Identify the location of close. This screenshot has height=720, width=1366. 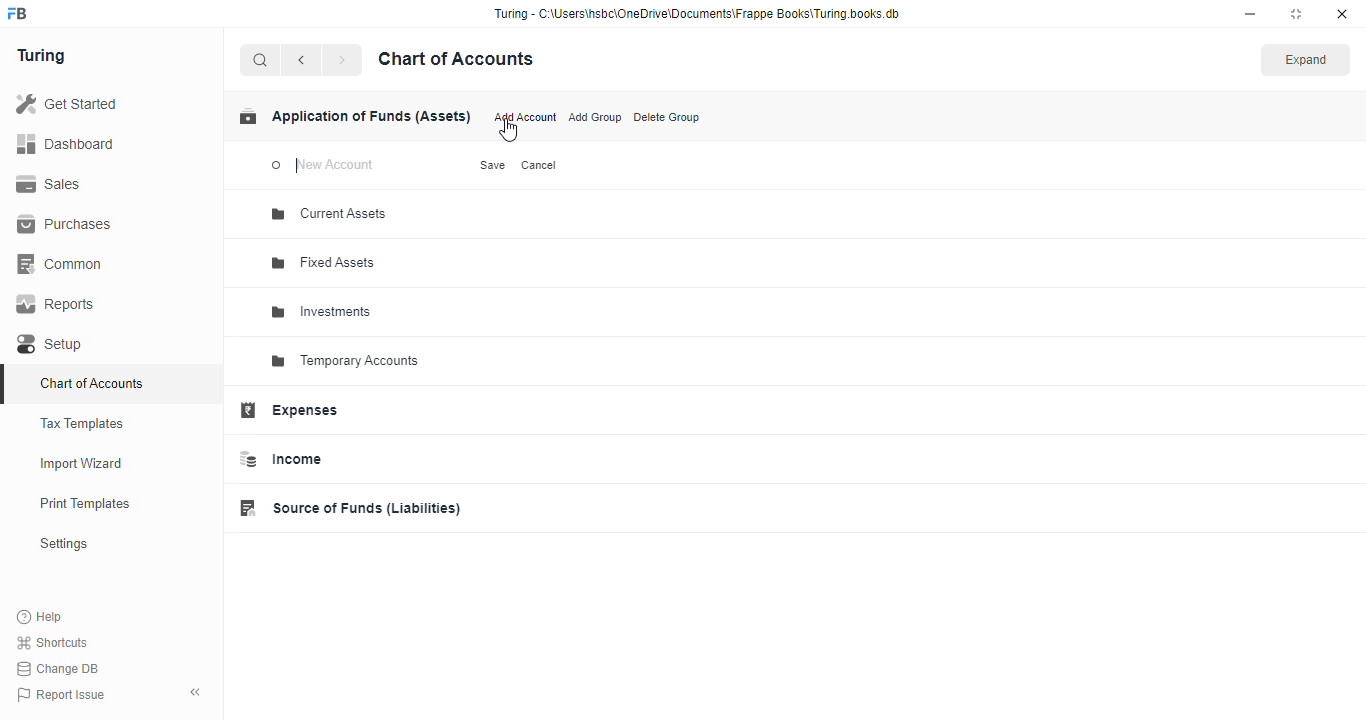
(1342, 14).